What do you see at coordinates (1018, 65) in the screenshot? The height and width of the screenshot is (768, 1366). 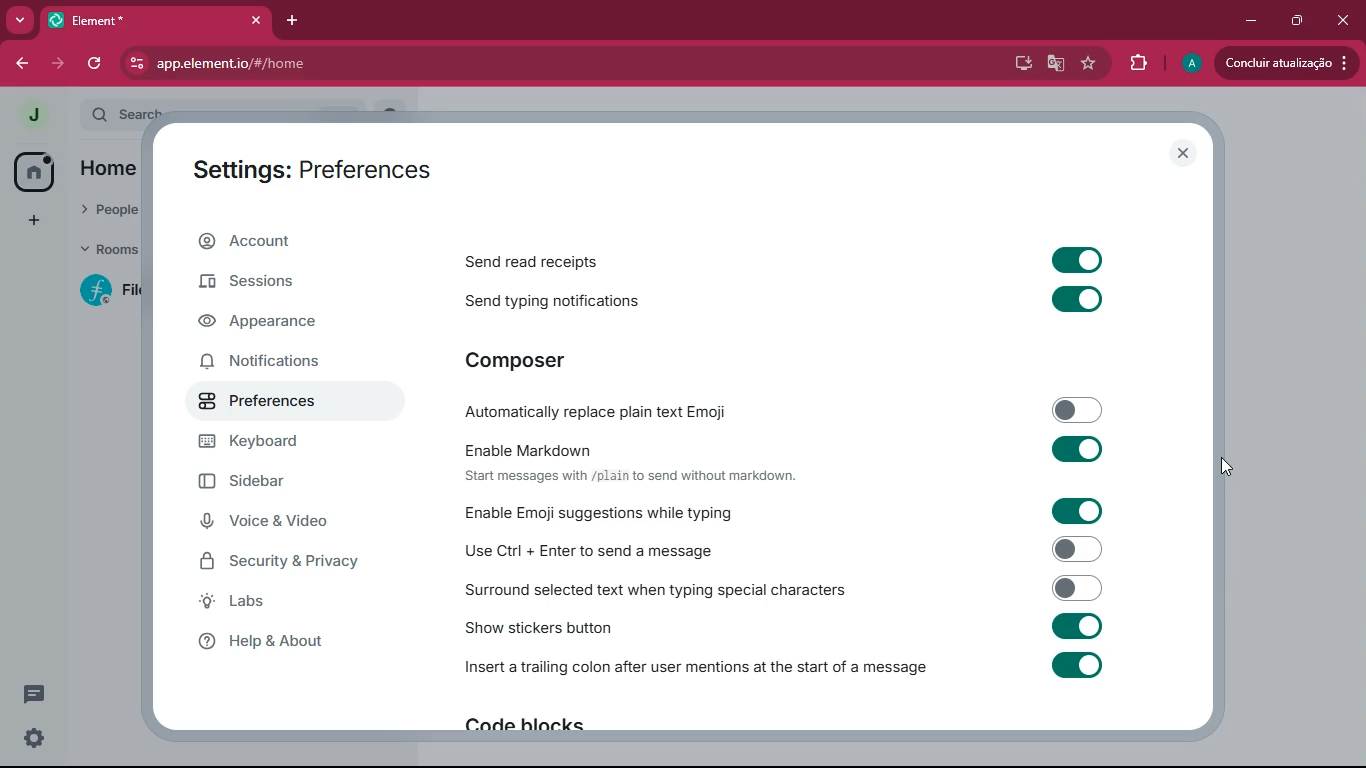 I see `desktop` at bounding box center [1018, 65].